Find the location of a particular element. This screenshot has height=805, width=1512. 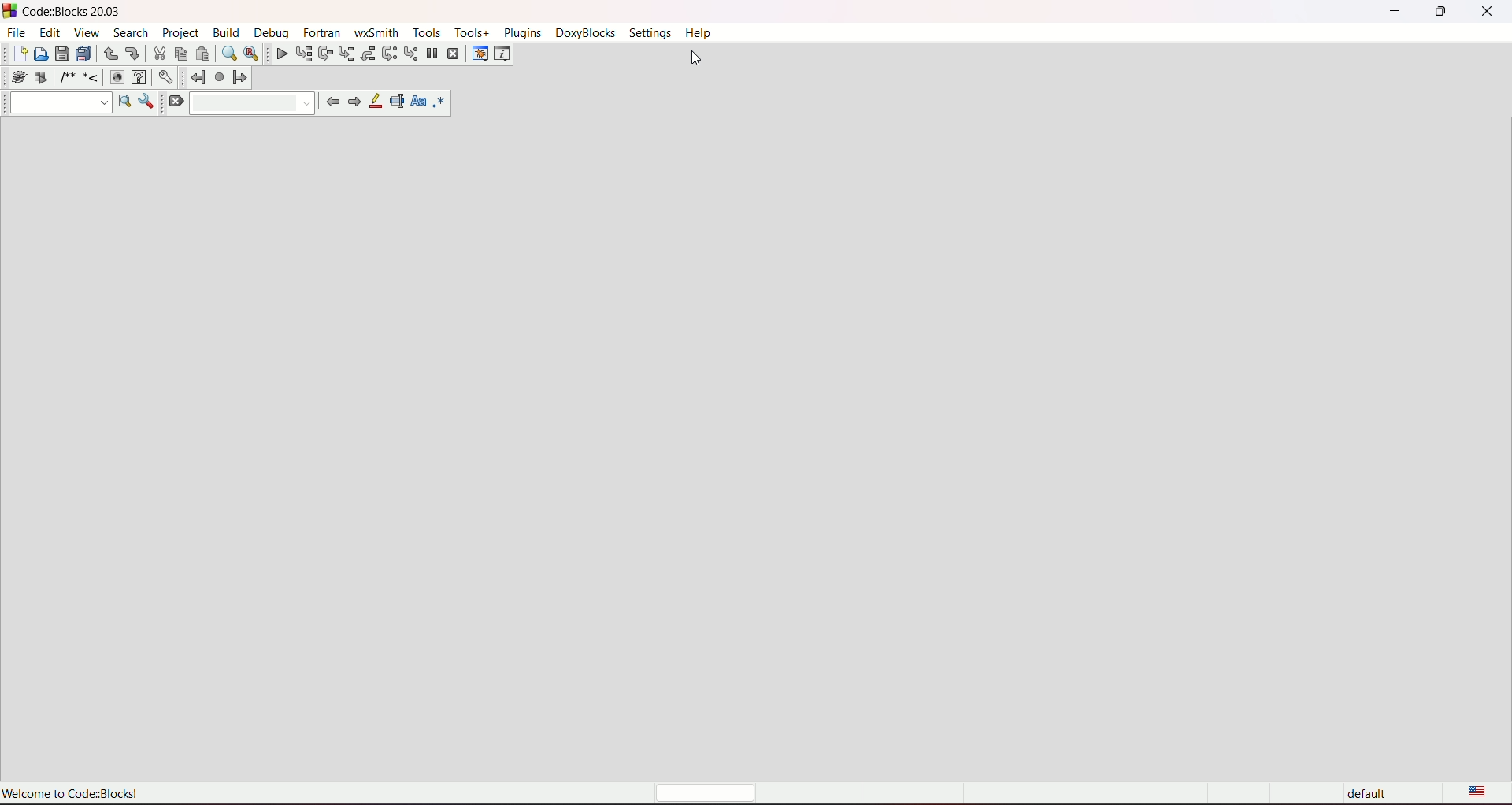

wxsmith is located at coordinates (375, 32).